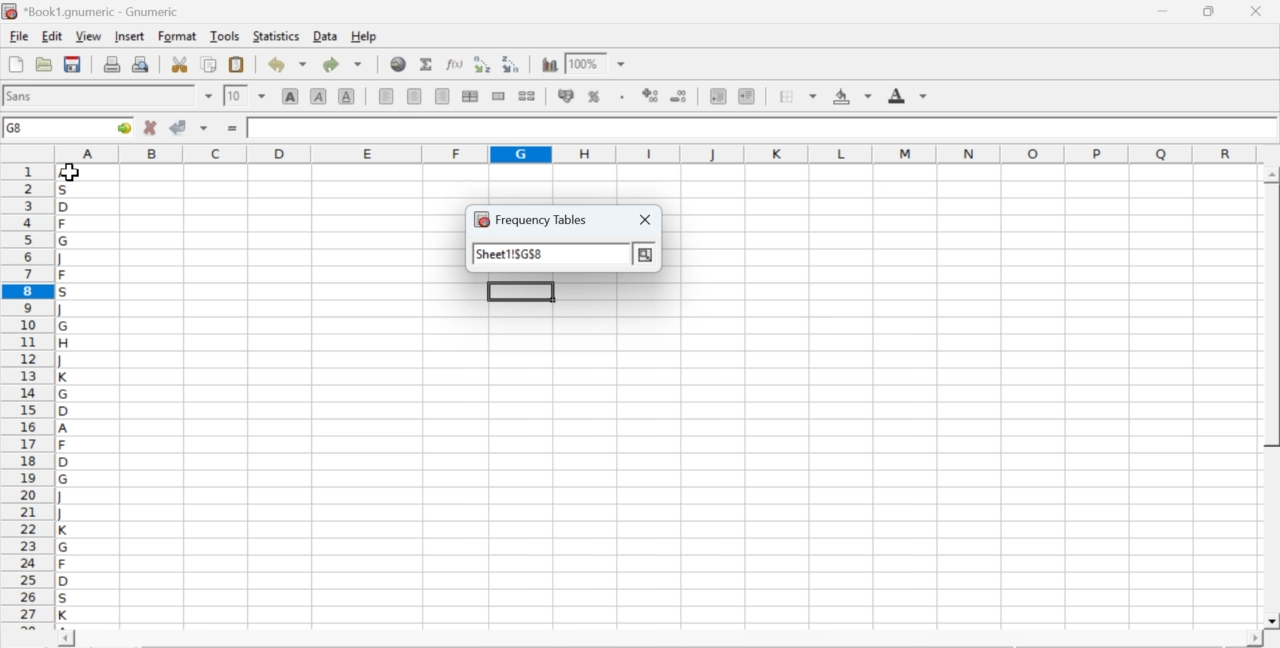 The image size is (1280, 648). I want to click on paste, so click(238, 65).